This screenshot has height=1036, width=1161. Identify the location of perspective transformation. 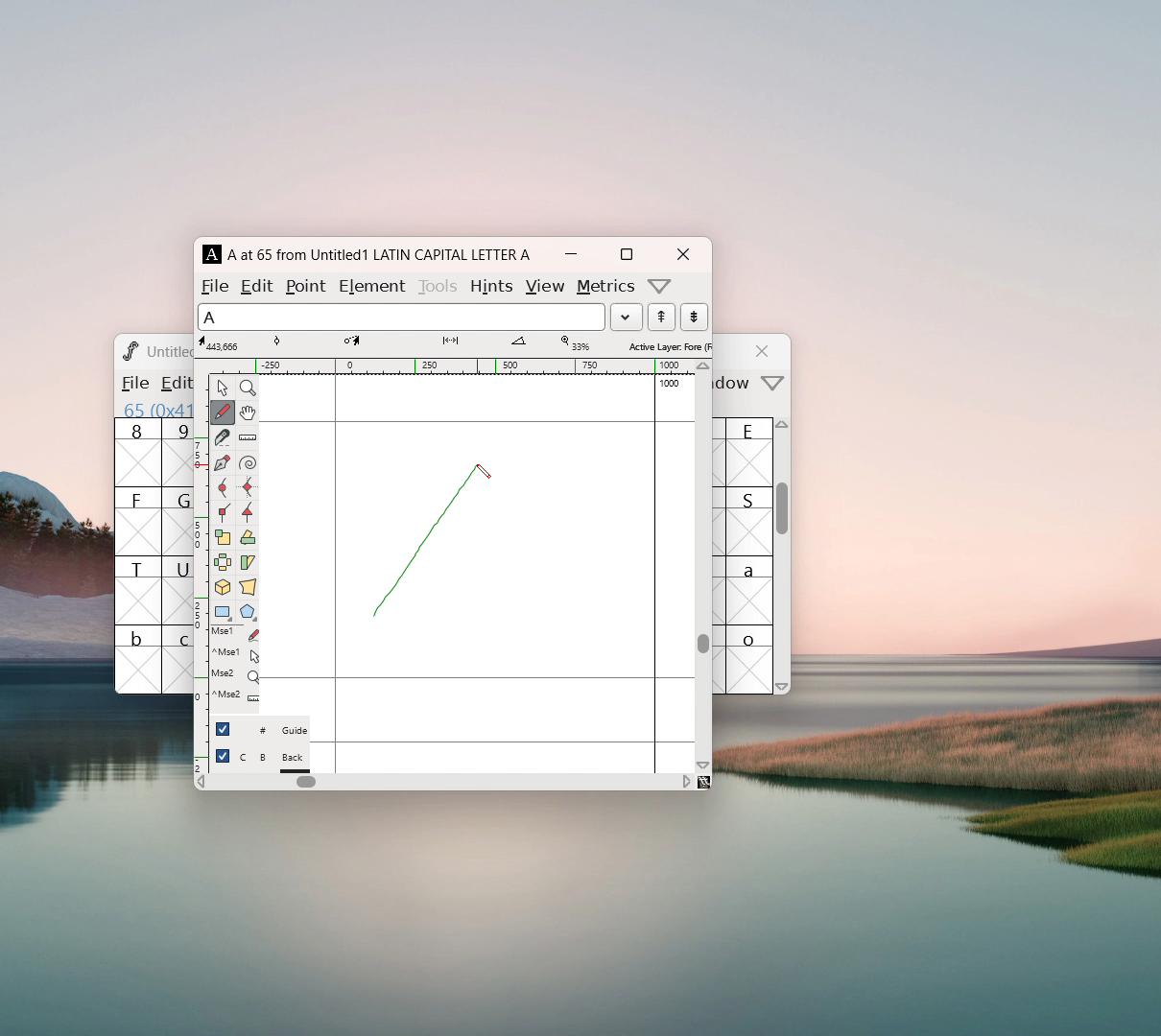
(248, 589).